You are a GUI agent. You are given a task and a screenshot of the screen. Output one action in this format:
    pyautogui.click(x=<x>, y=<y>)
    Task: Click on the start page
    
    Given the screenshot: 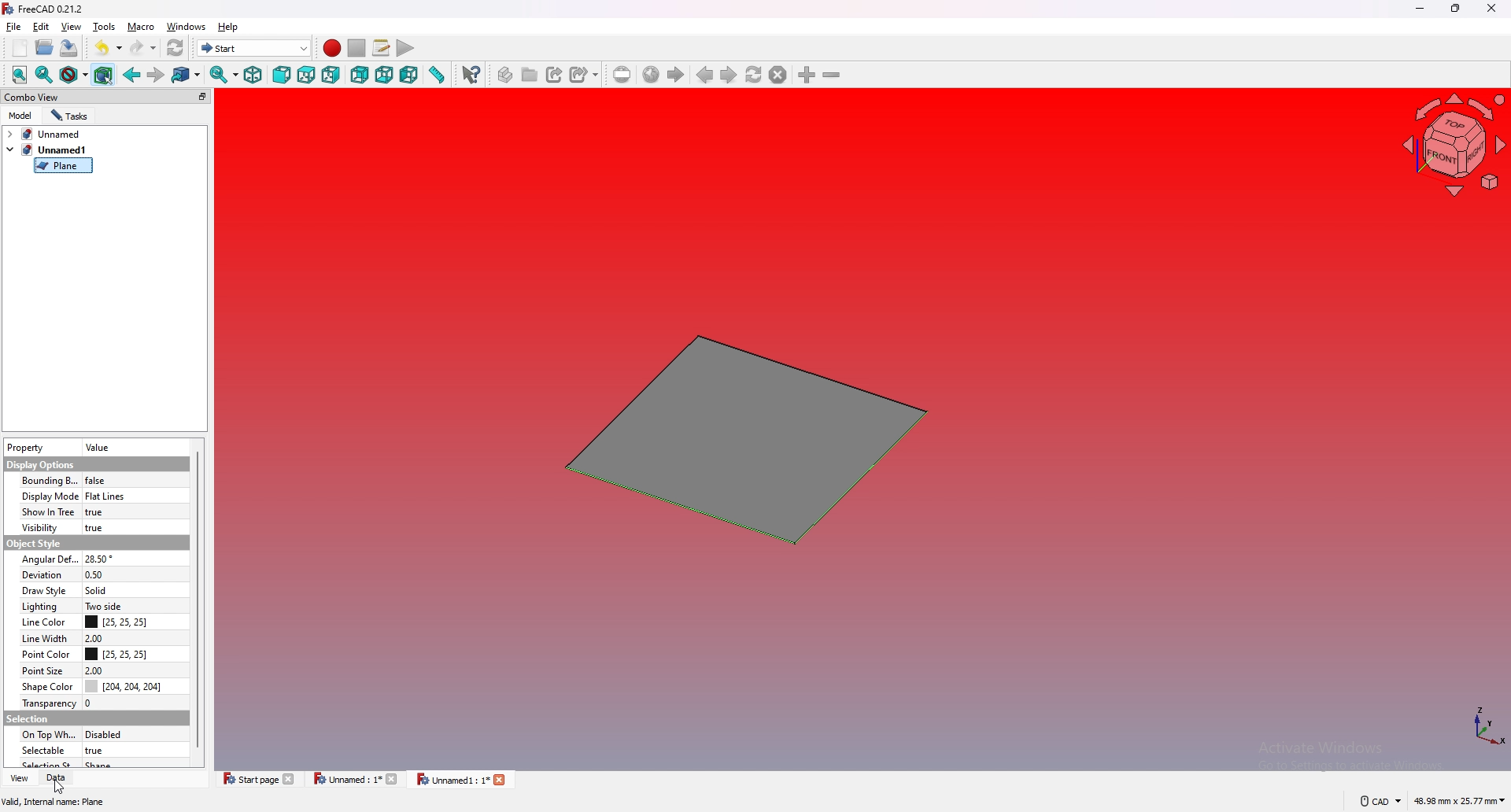 What is the action you would take?
    pyautogui.click(x=675, y=75)
    